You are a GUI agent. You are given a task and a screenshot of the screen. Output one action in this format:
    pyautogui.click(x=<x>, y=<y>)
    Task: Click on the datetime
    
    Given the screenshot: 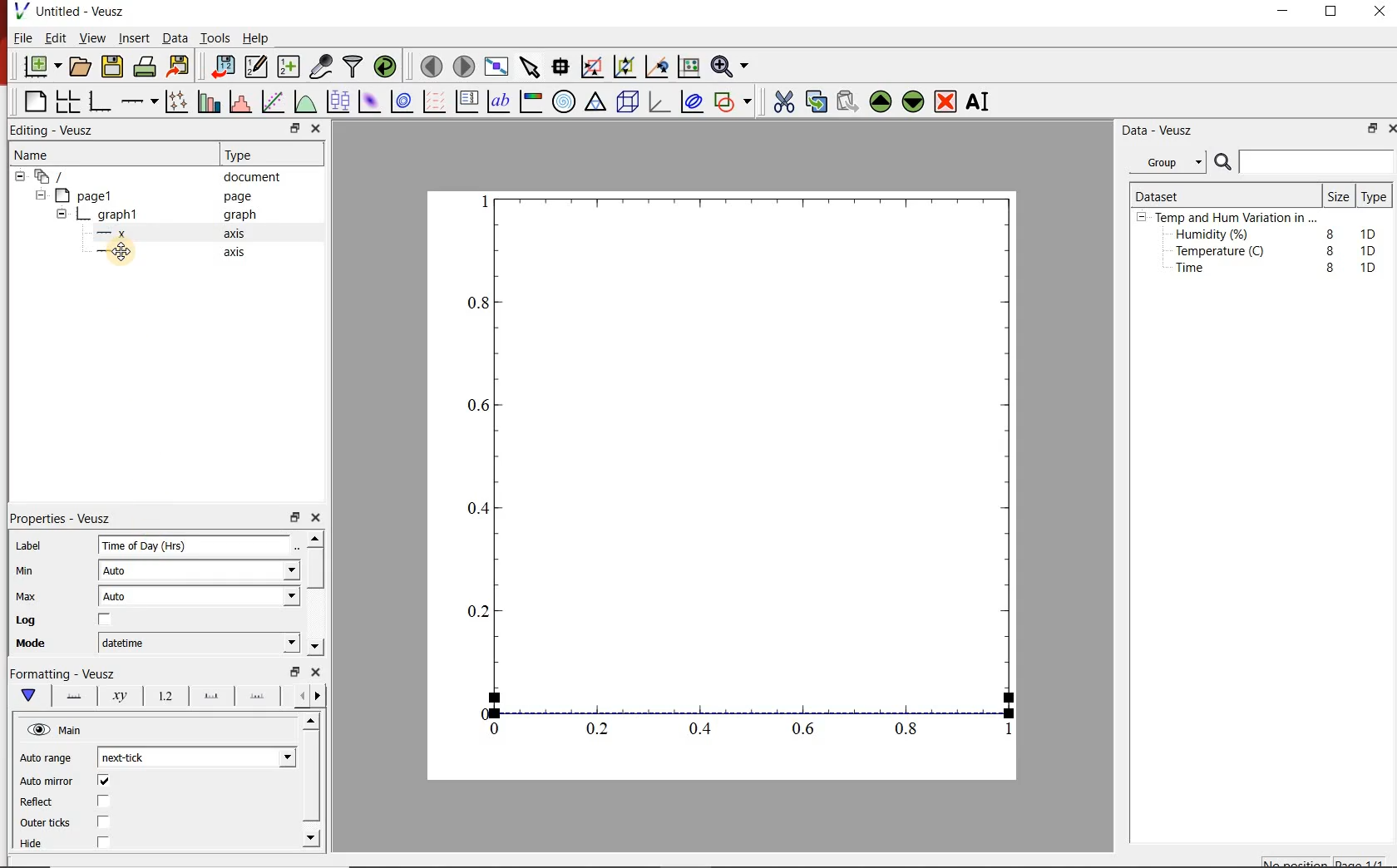 What is the action you would take?
    pyautogui.click(x=127, y=643)
    